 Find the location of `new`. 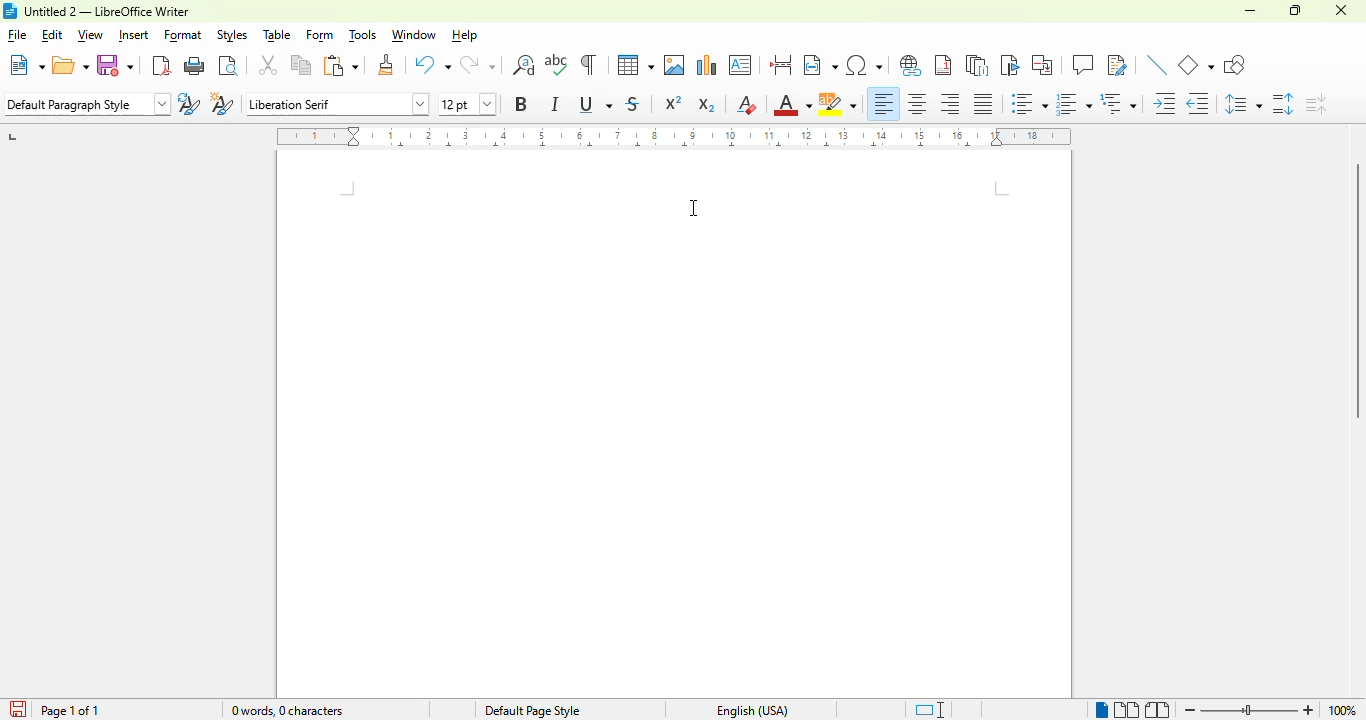

new is located at coordinates (26, 65).